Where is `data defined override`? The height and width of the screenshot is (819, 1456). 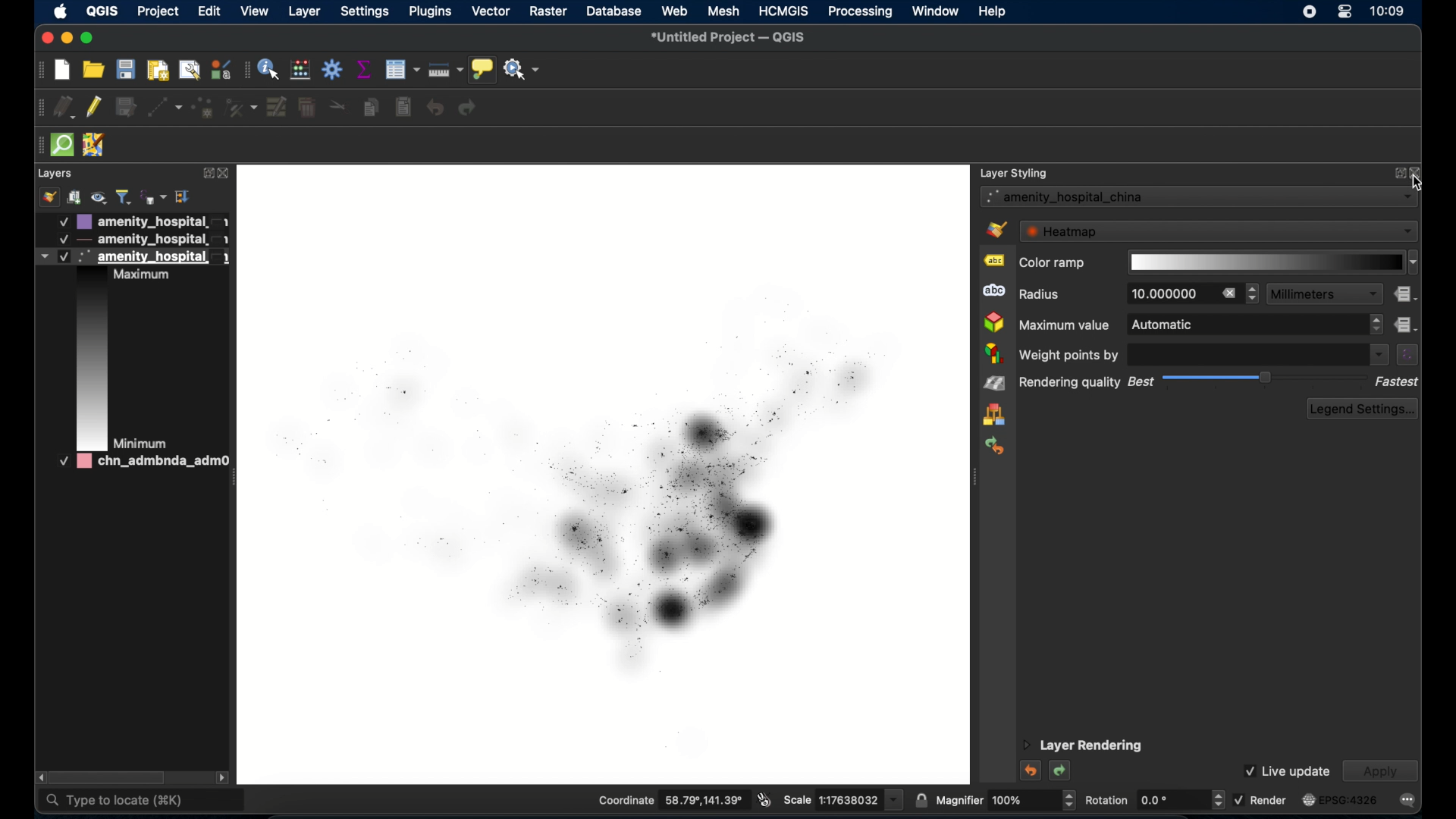 data defined override is located at coordinates (1406, 325).